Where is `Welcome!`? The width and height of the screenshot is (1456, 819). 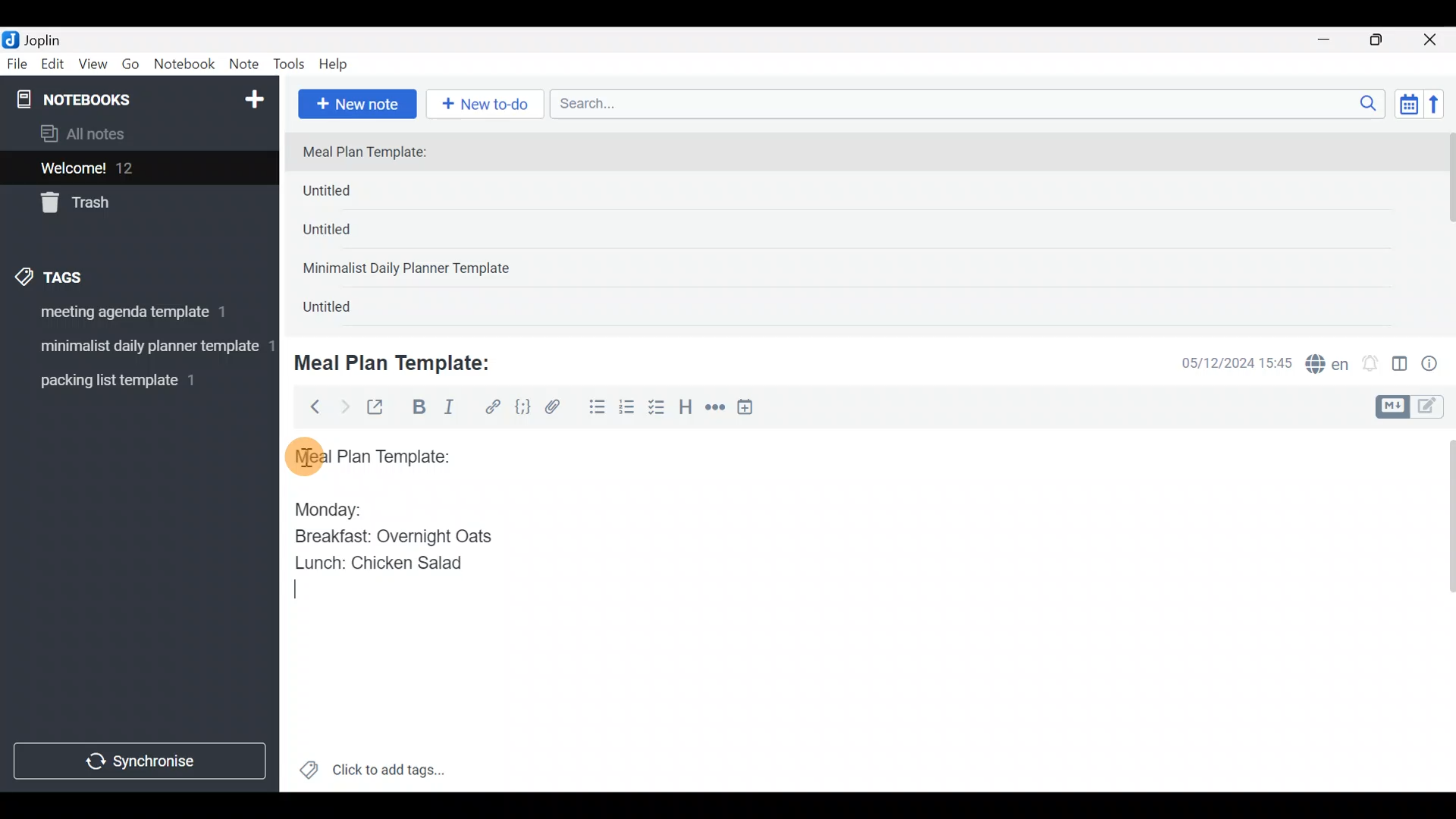
Welcome! is located at coordinates (137, 169).